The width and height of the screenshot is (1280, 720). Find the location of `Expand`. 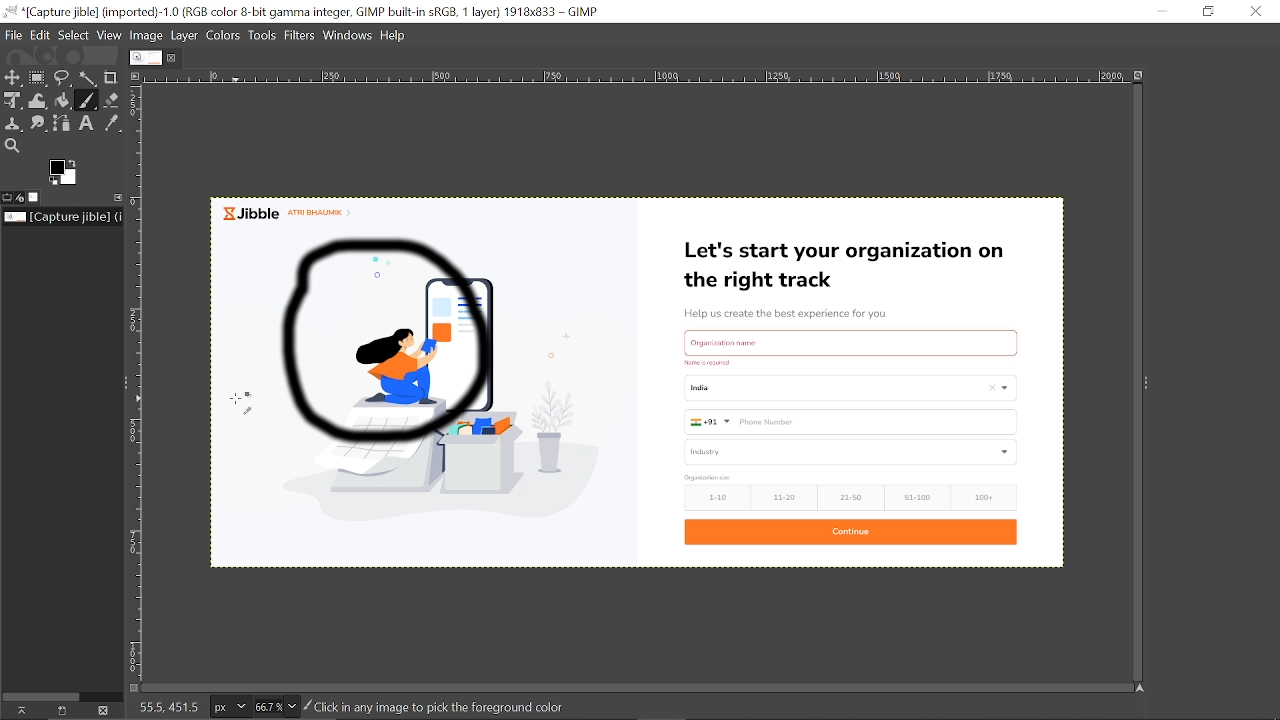

Expand is located at coordinates (1146, 383).